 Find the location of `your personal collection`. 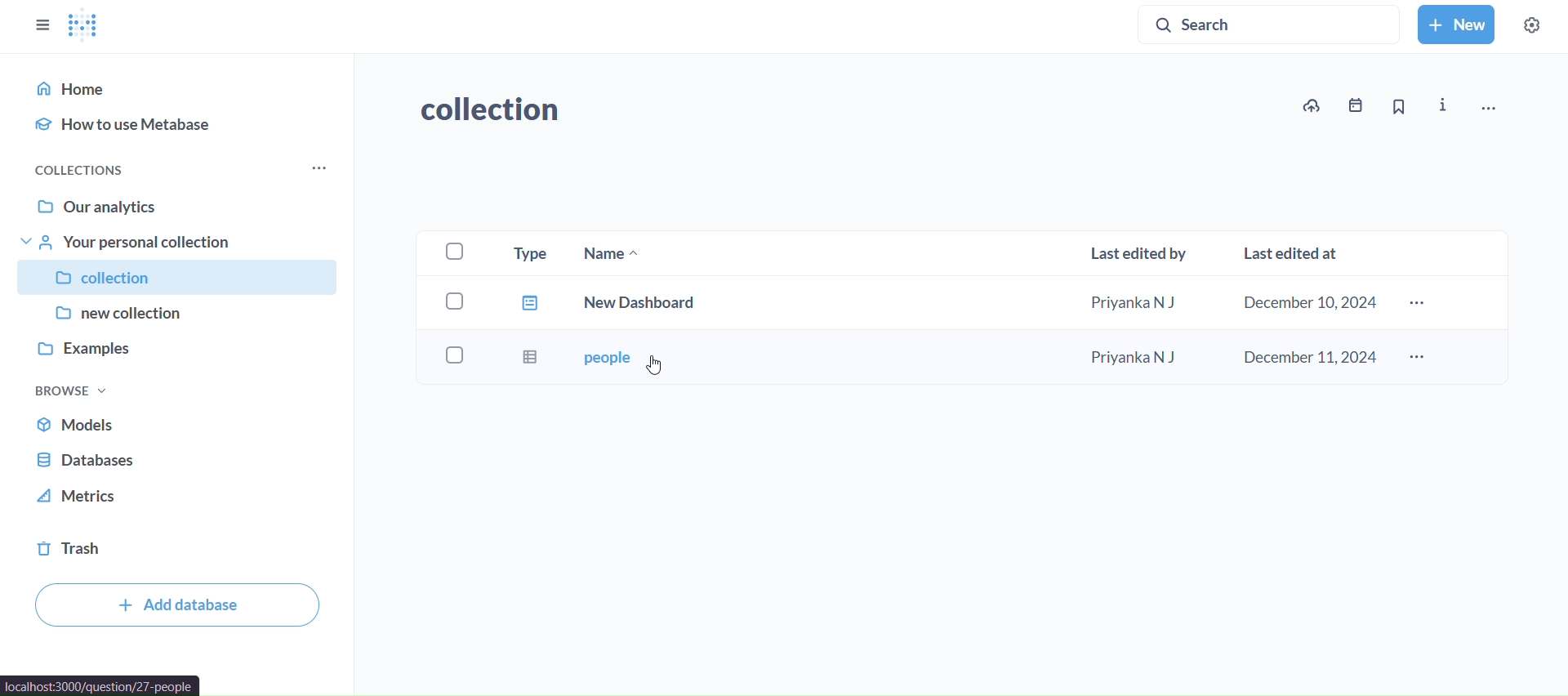

your personal collection is located at coordinates (178, 243).